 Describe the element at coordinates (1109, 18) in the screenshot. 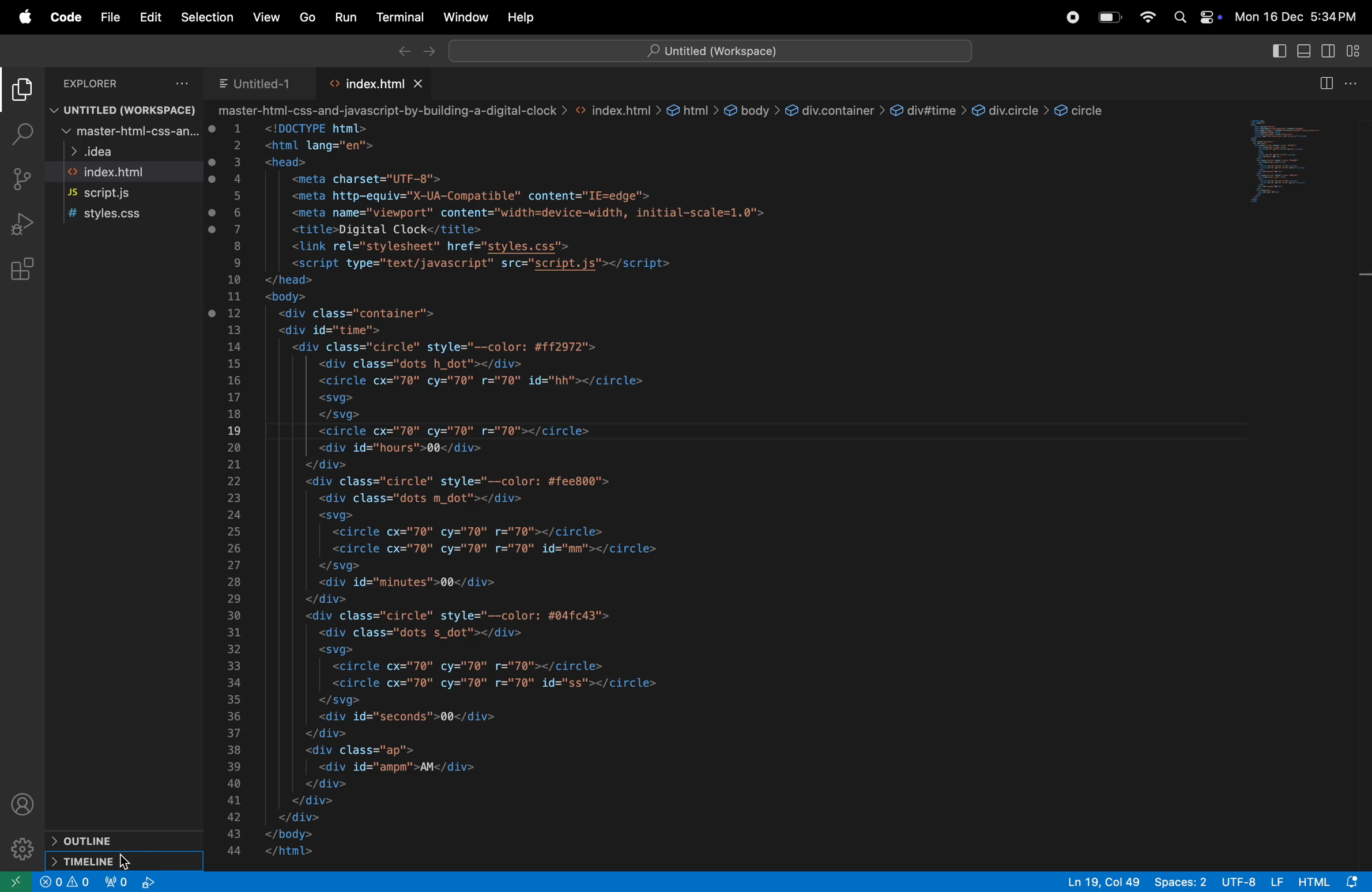

I see `battery ` at that location.